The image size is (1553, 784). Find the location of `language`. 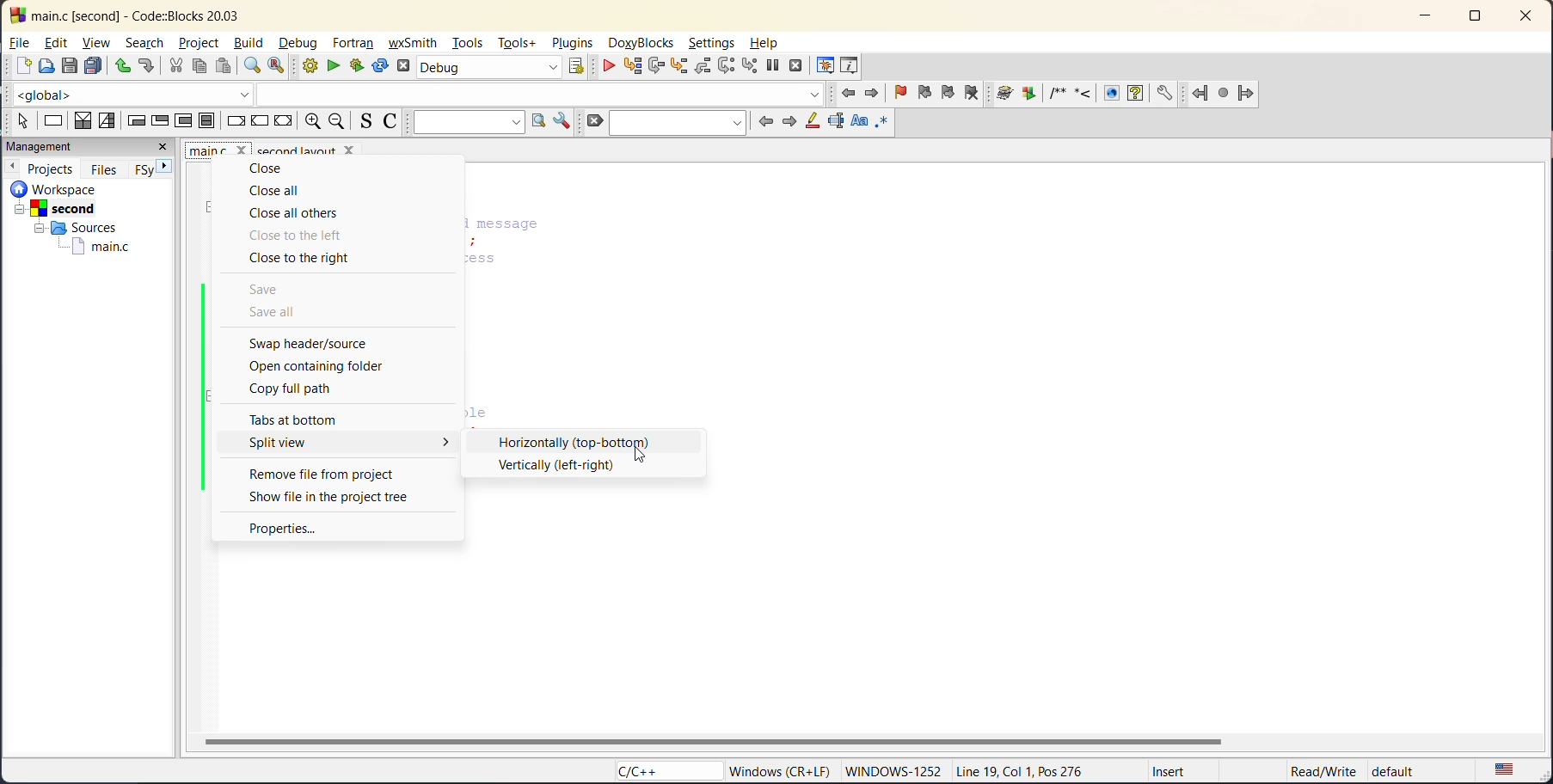

language is located at coordinates (654, 770).